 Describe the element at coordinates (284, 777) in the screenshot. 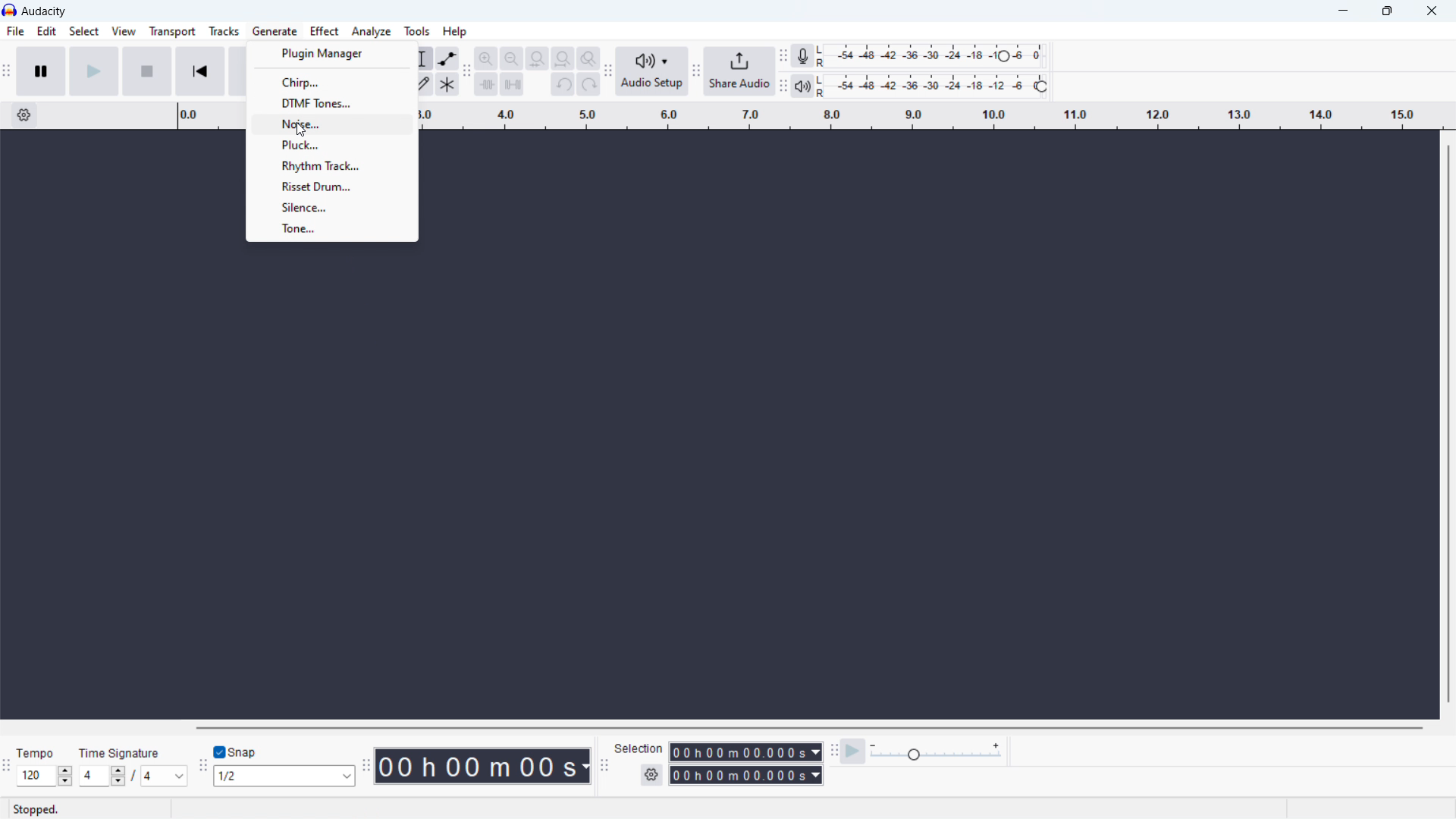

I see `select snapping` at that location.